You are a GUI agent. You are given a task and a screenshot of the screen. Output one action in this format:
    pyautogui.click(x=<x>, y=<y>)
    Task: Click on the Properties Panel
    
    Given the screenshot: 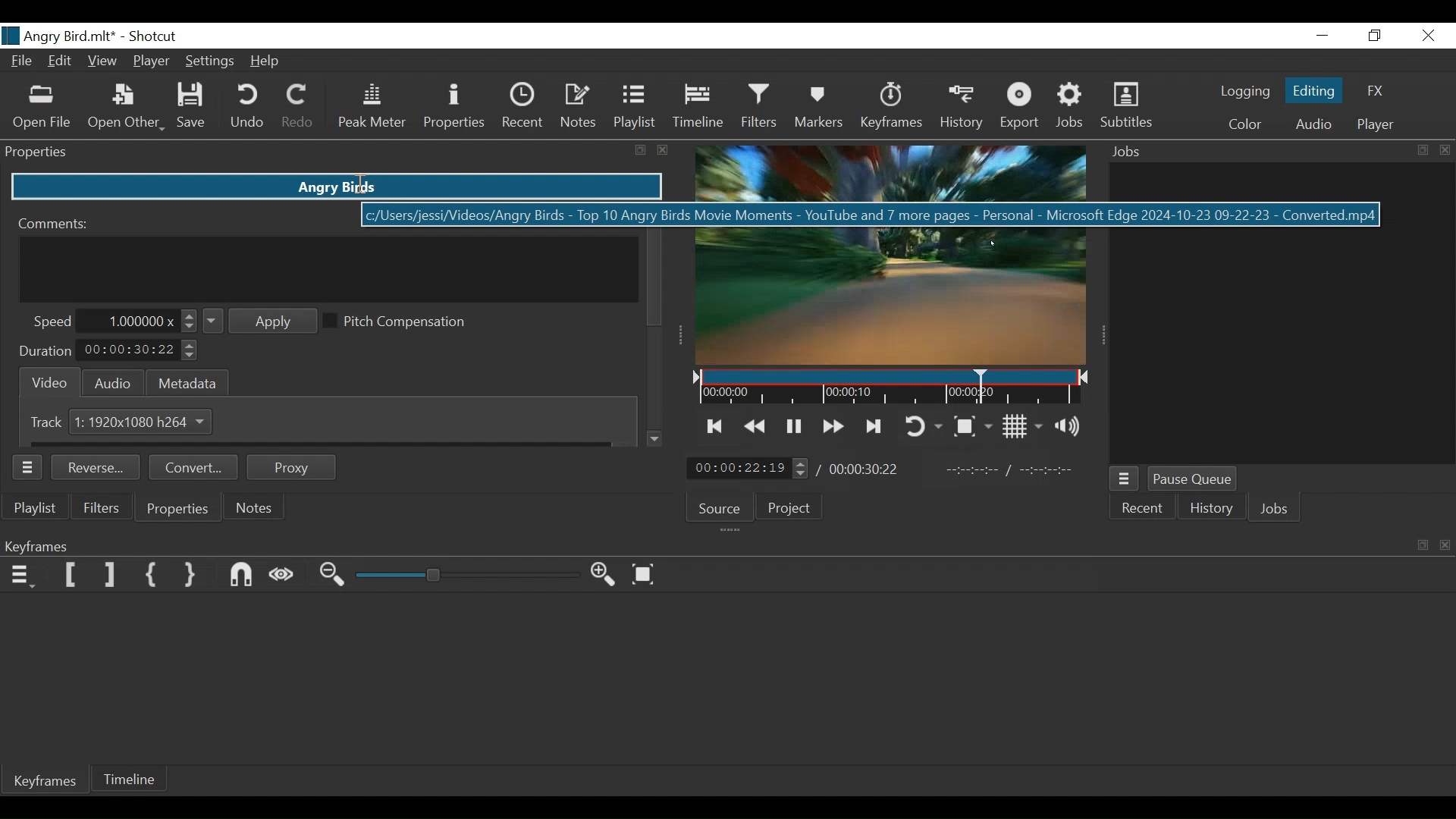 What is the action you would take?
    pyautogui.click(x=337, y=152)
    